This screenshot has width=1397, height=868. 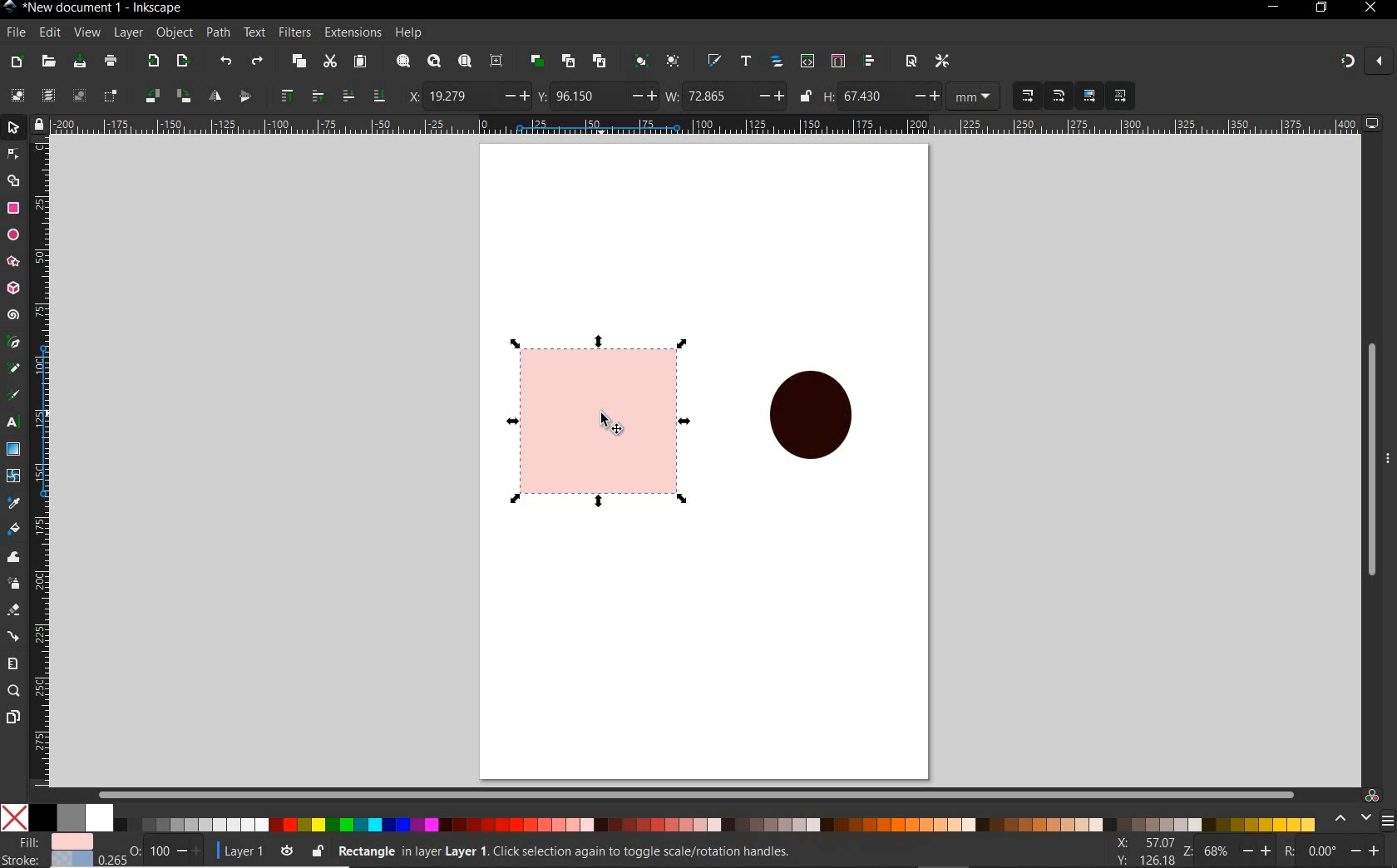 I want to click on xy coordinates, so click(x=1150, y=852).